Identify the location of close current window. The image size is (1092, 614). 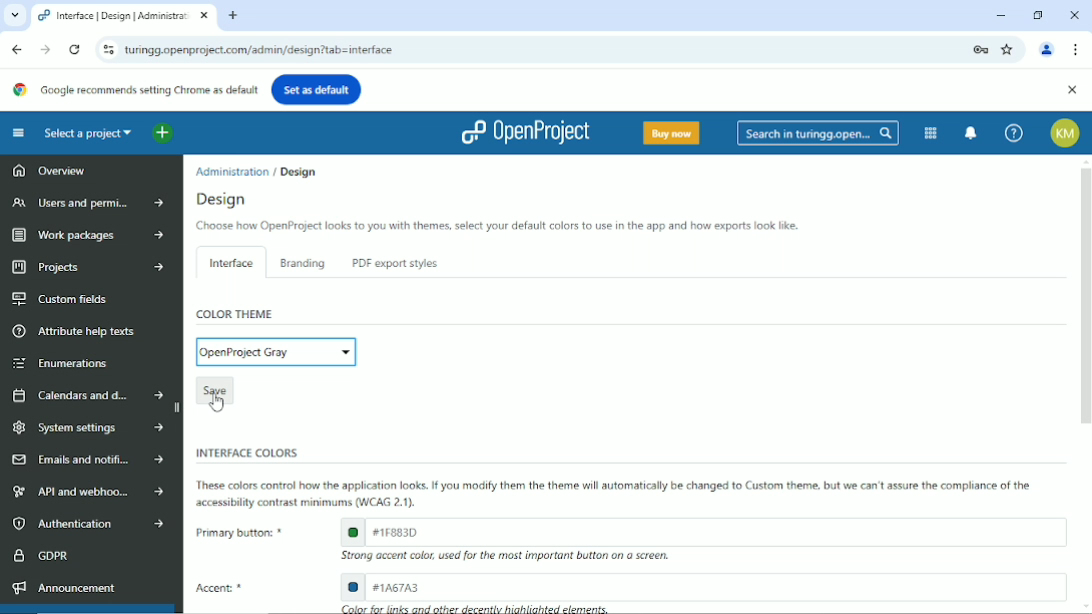
(204, 16).